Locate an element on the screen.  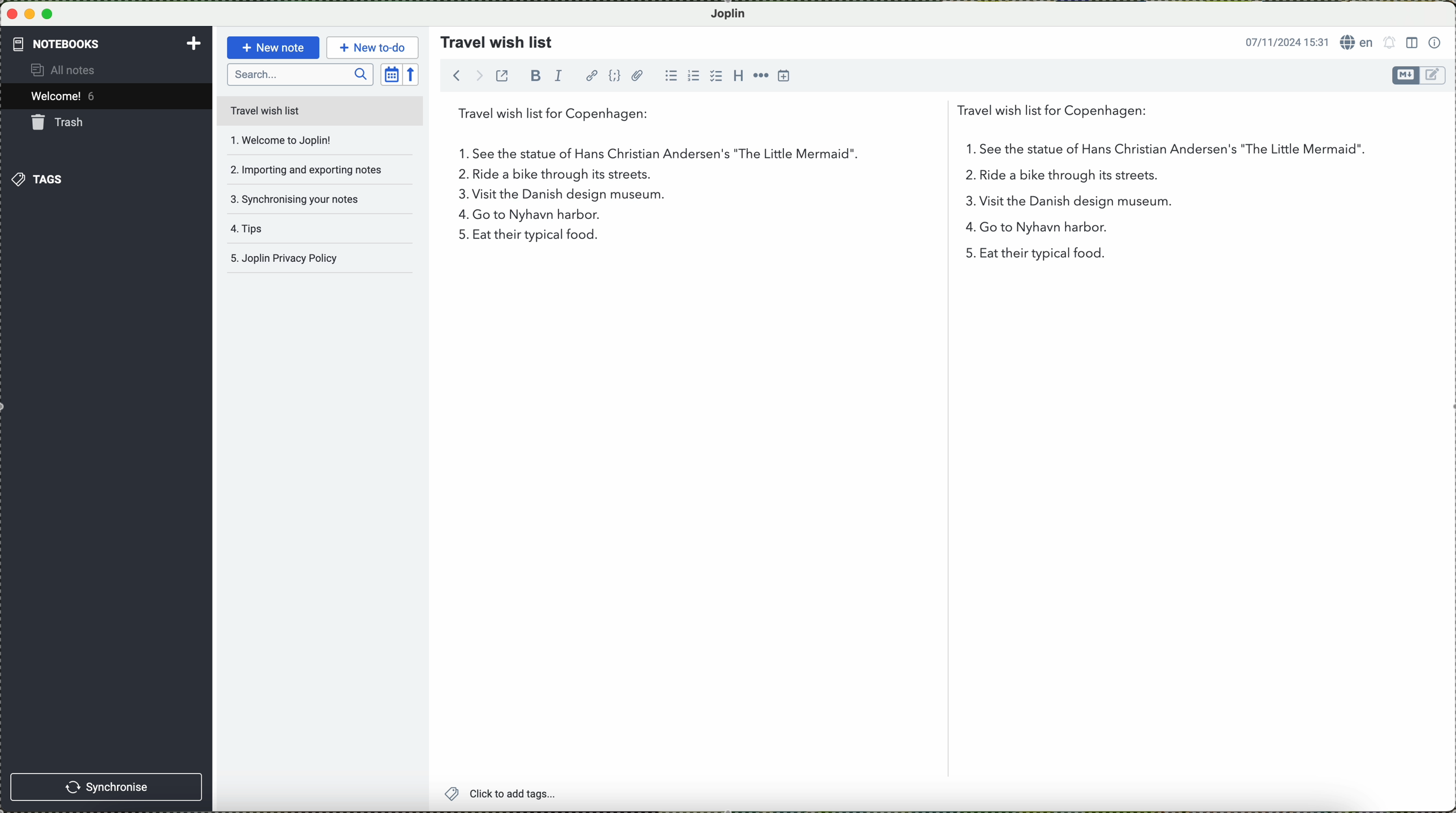
minimize is located at coordinates (31, 14).